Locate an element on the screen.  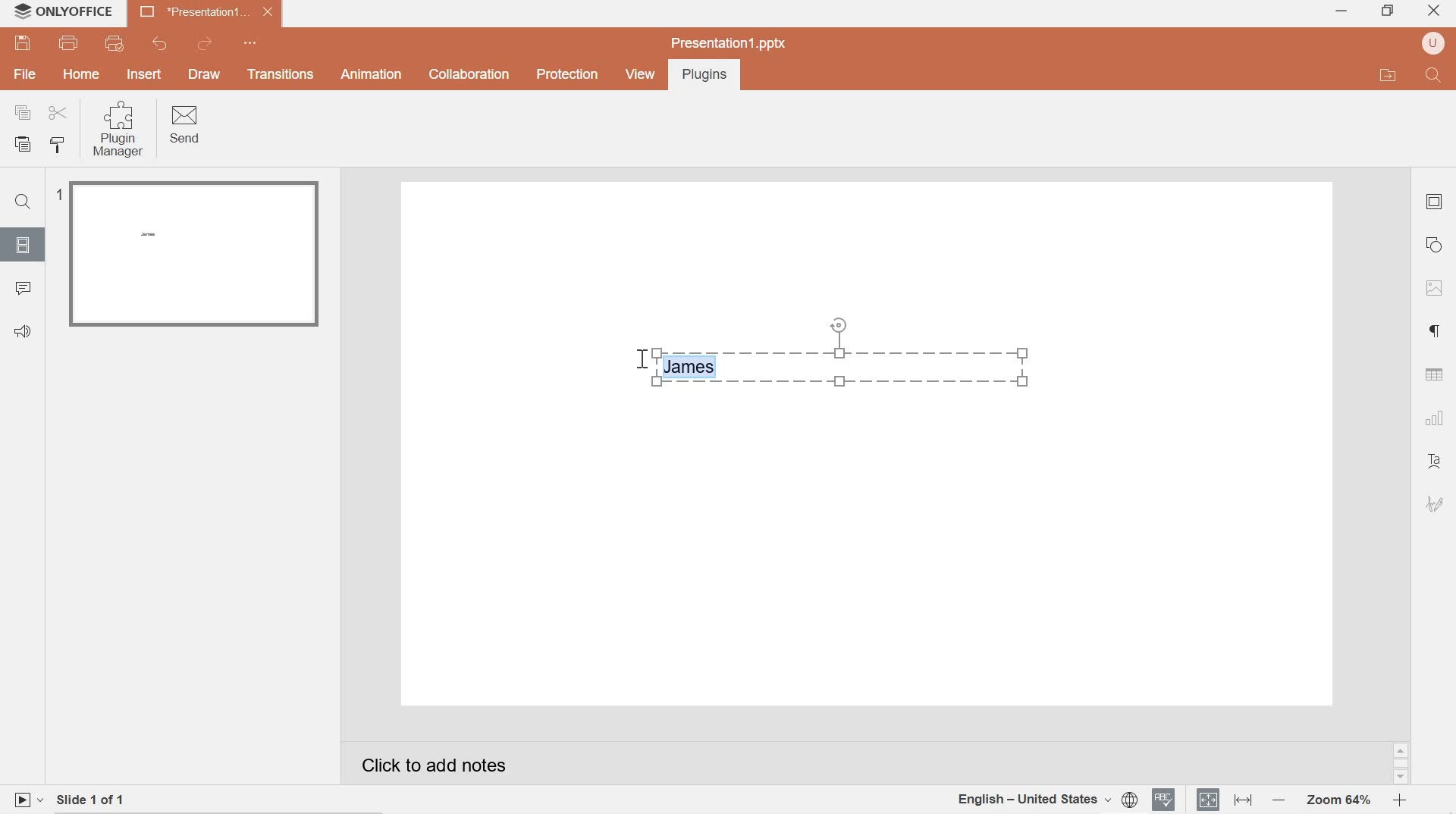
Find is located at coordinates (26, 203).